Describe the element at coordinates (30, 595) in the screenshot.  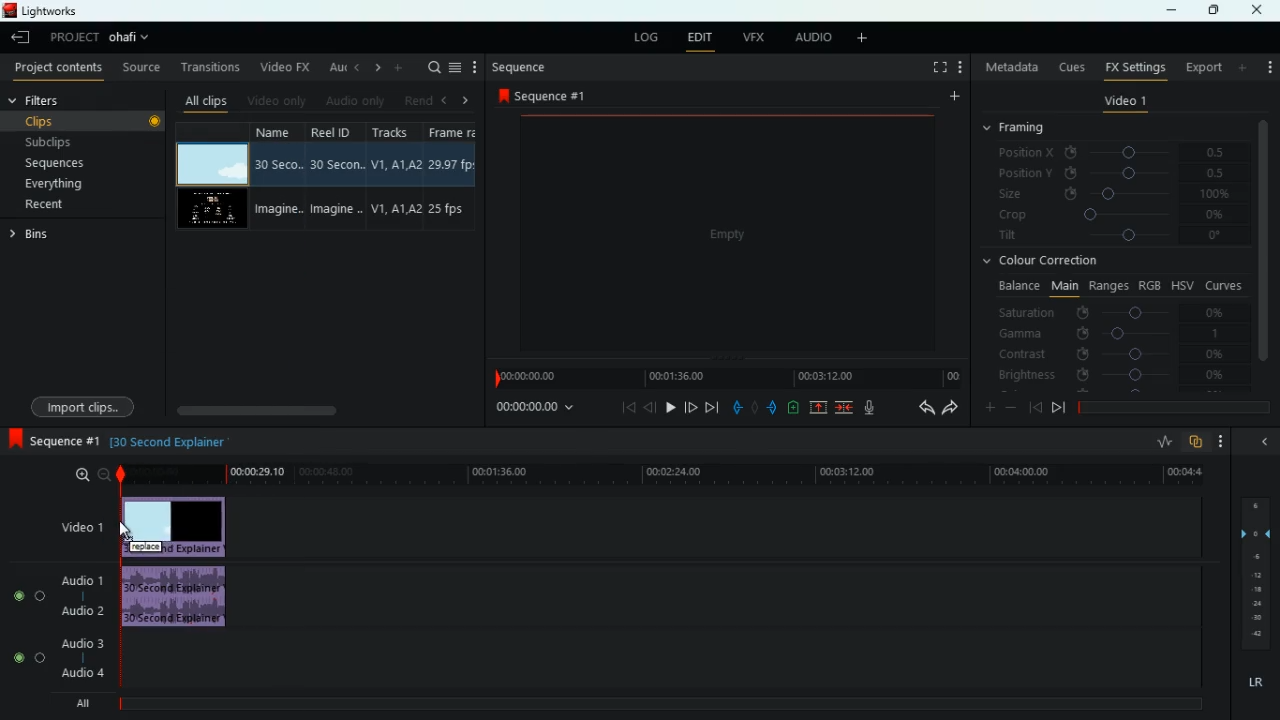
I see `Audio` at that location.